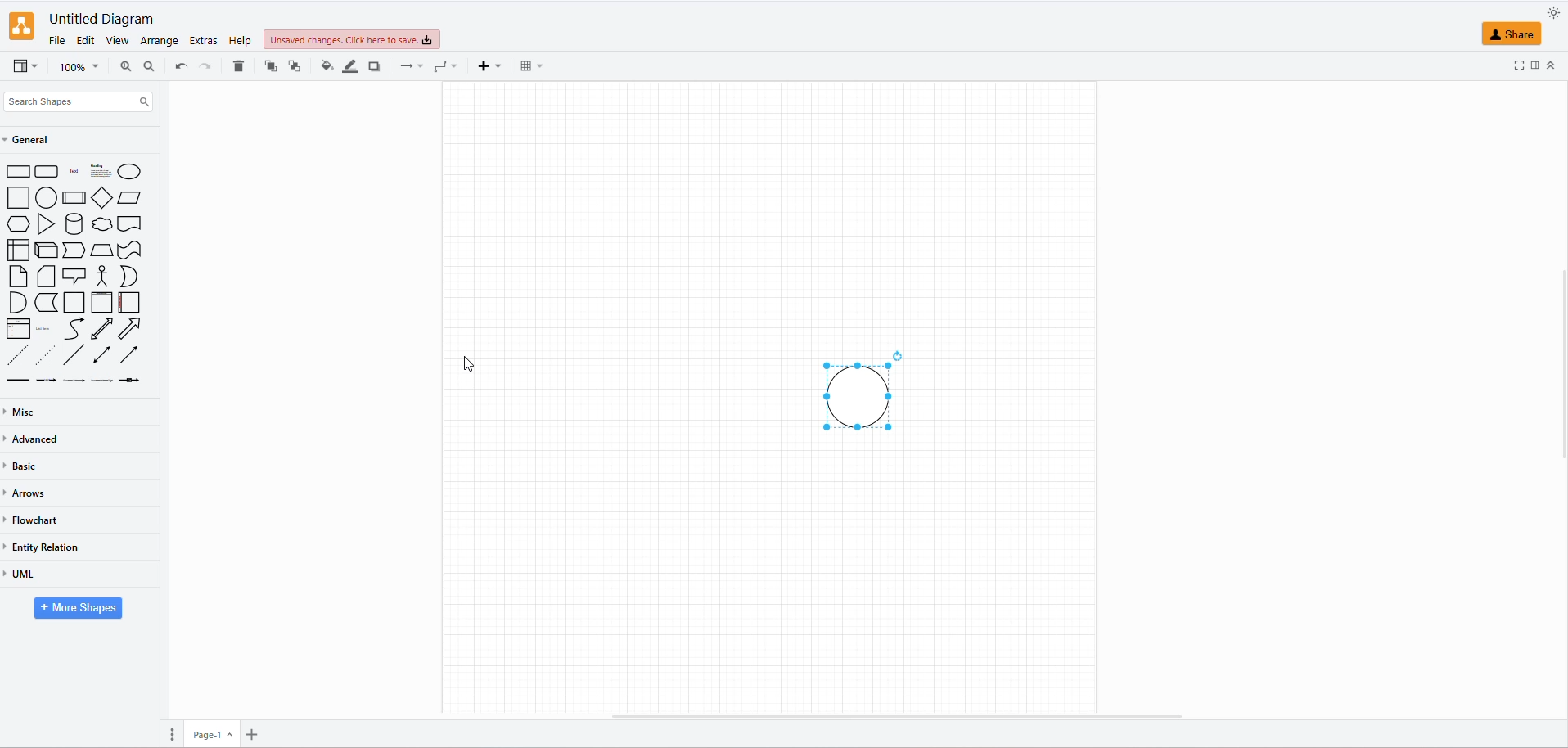 The height and width of the screenshot is (748, 1568). Describe the element at coordinates (37, 439) in the screenshot. I see `ADVANCED` at that location.